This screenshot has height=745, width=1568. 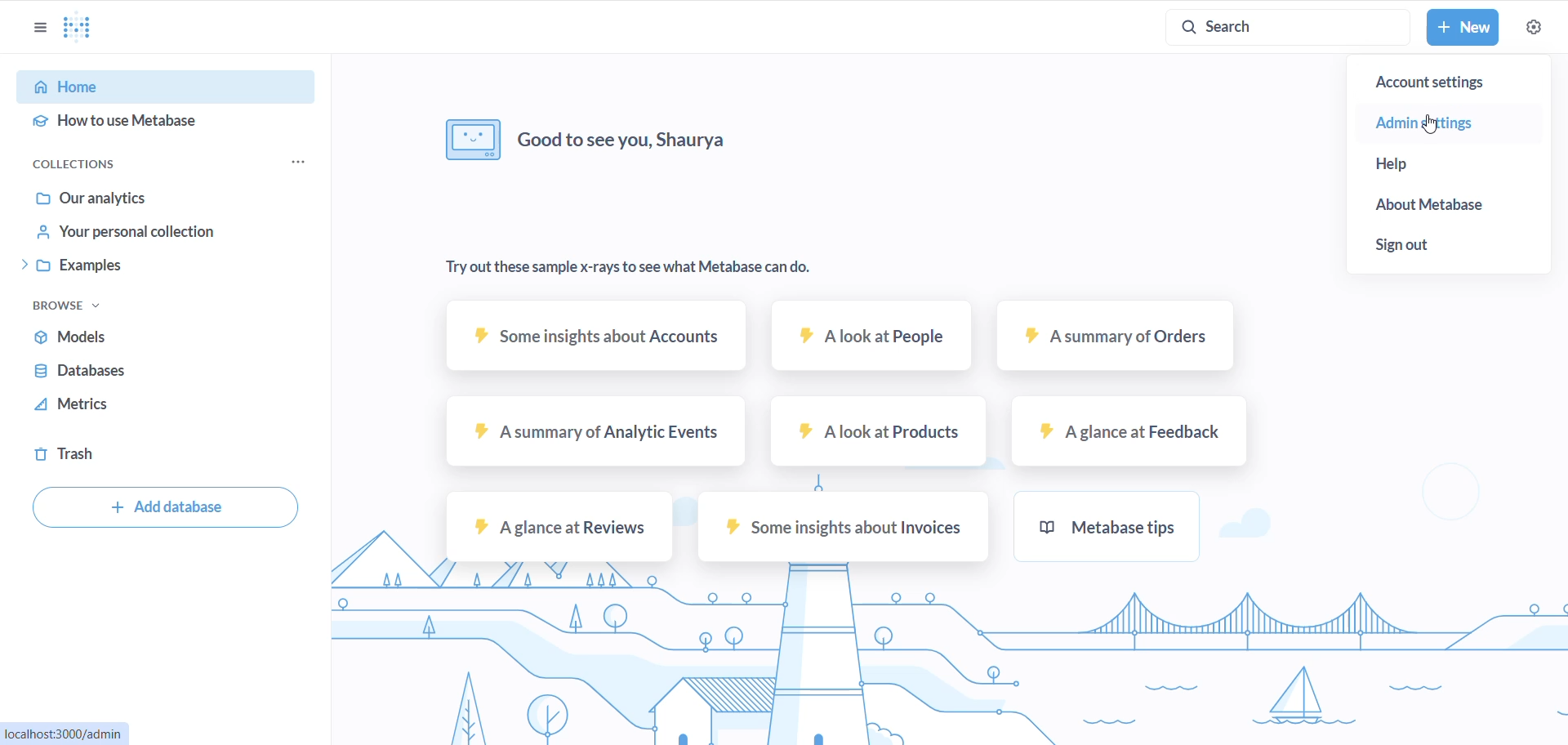 I want to click on search button, so click(x=1285, y=26).